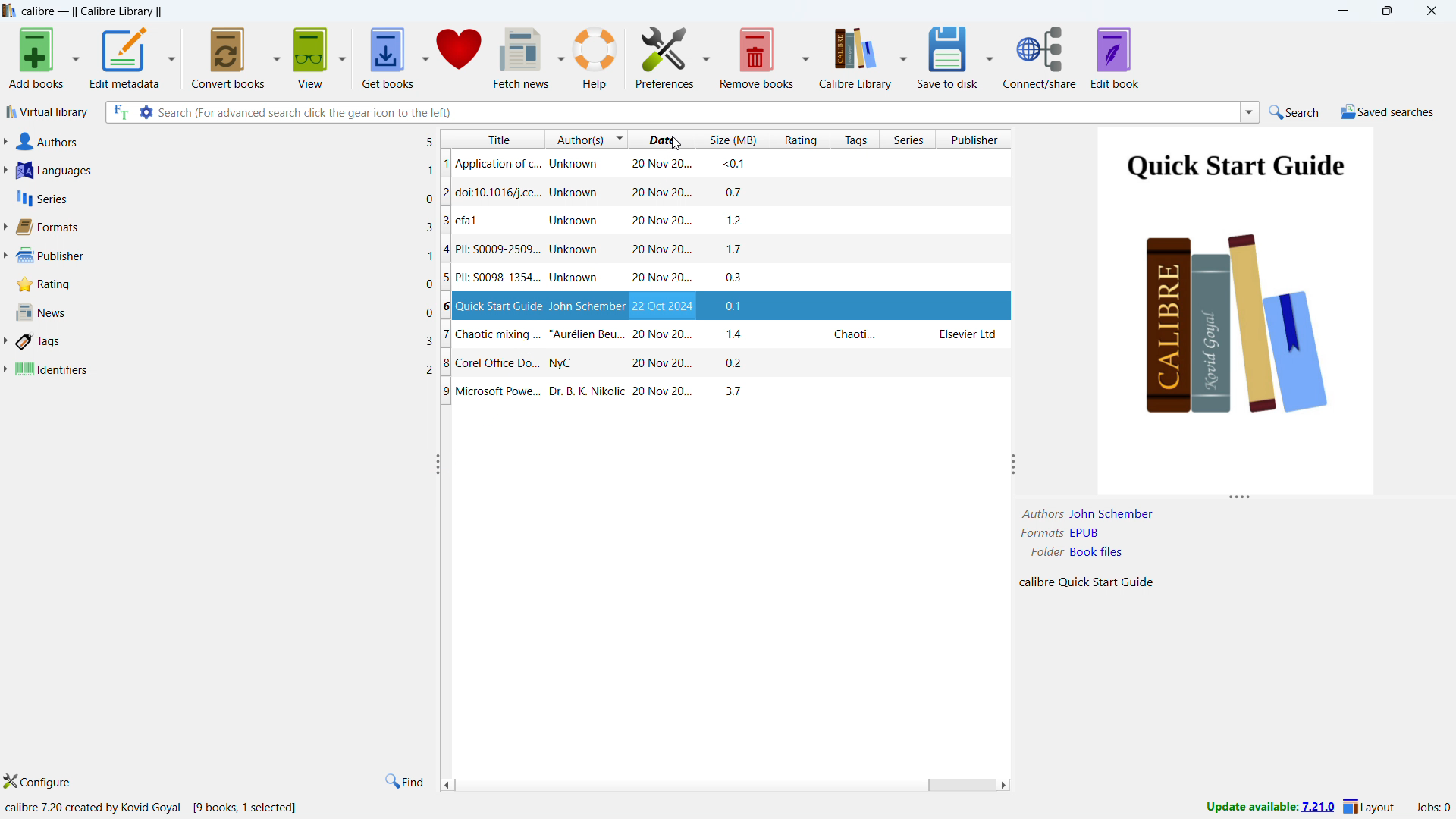  Describe the element at coordinates (696, 111) in the screenshot. I see `Search for advance search click the gear icon to the left` at that location.